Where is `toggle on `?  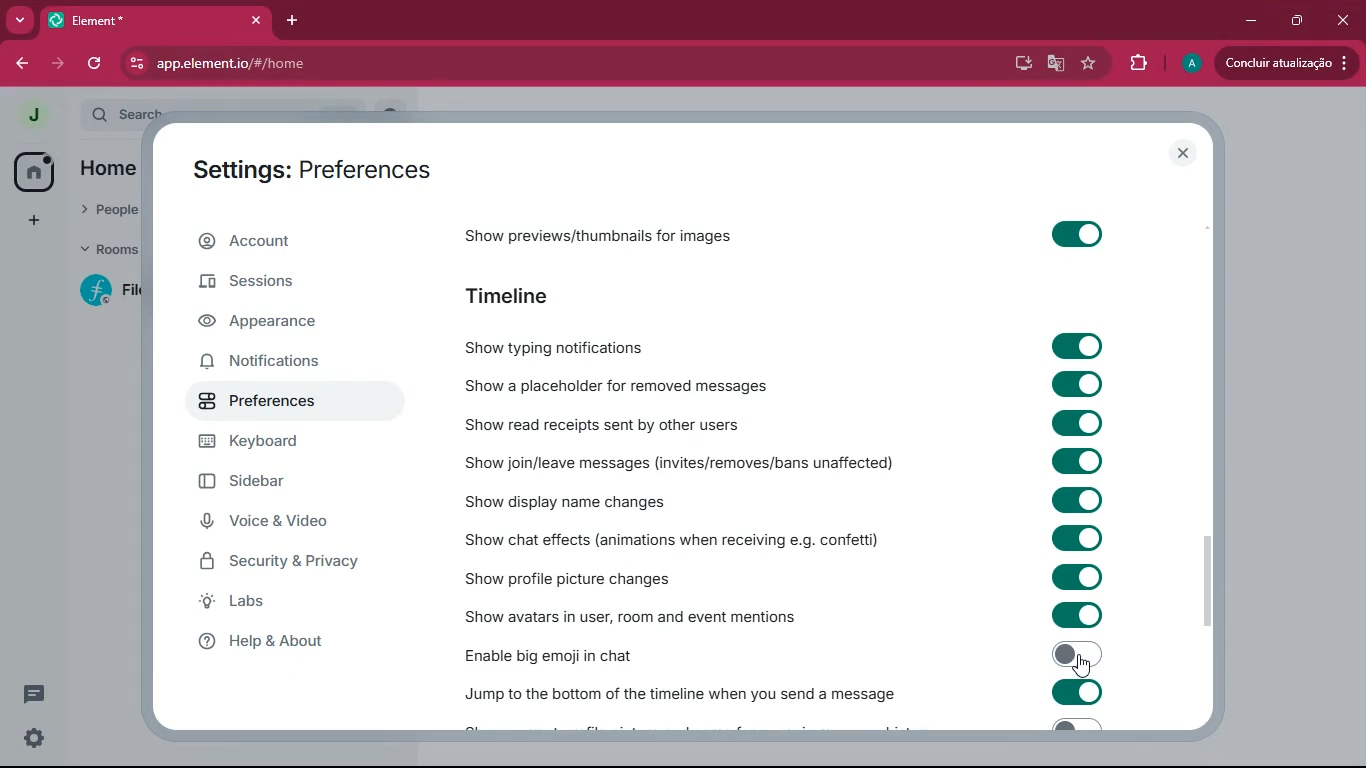
toggle on  is located at coordinates (1073, 461).